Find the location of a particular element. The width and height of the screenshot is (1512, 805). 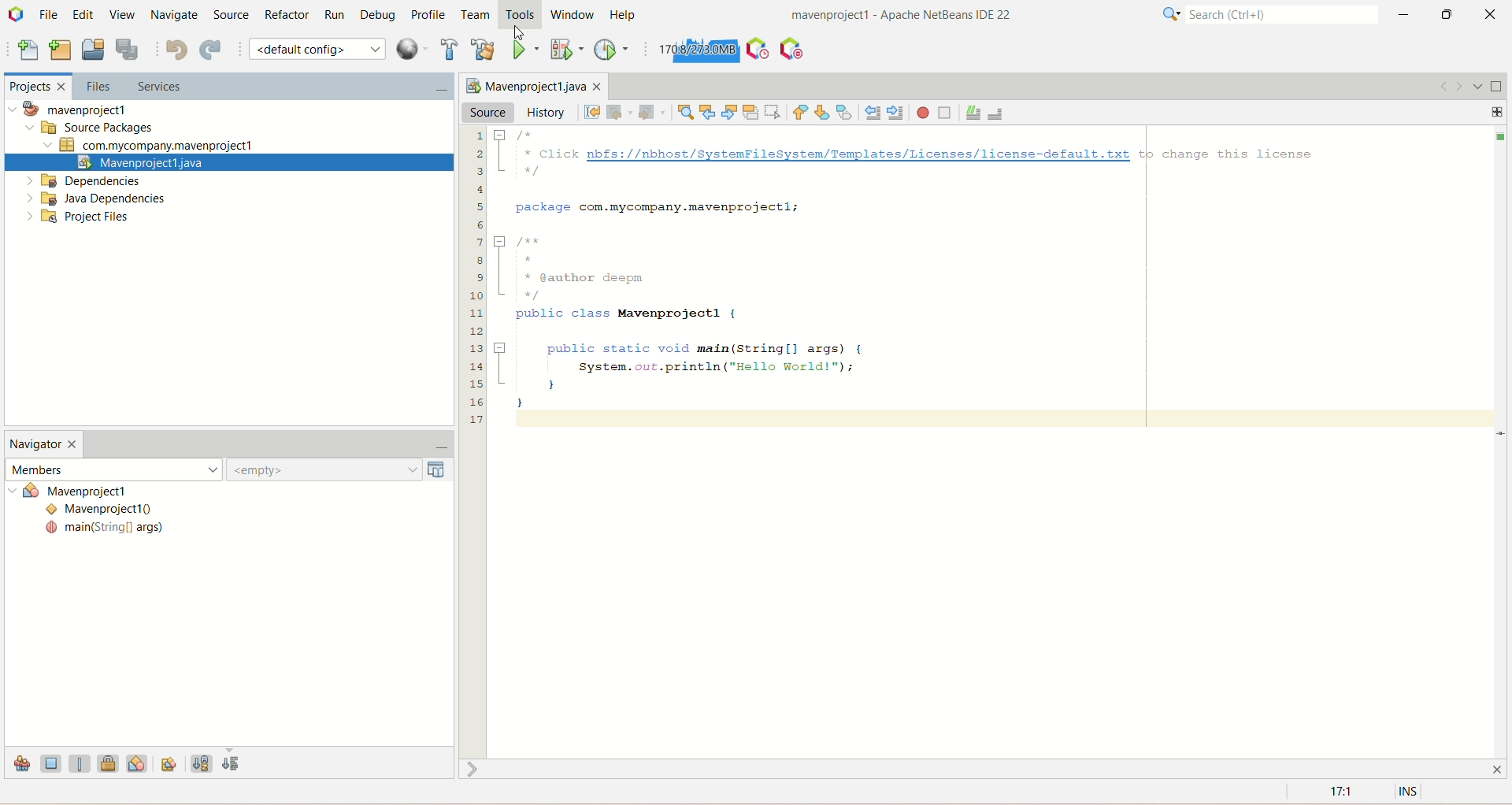

debug is located at coordinates (382, 17).